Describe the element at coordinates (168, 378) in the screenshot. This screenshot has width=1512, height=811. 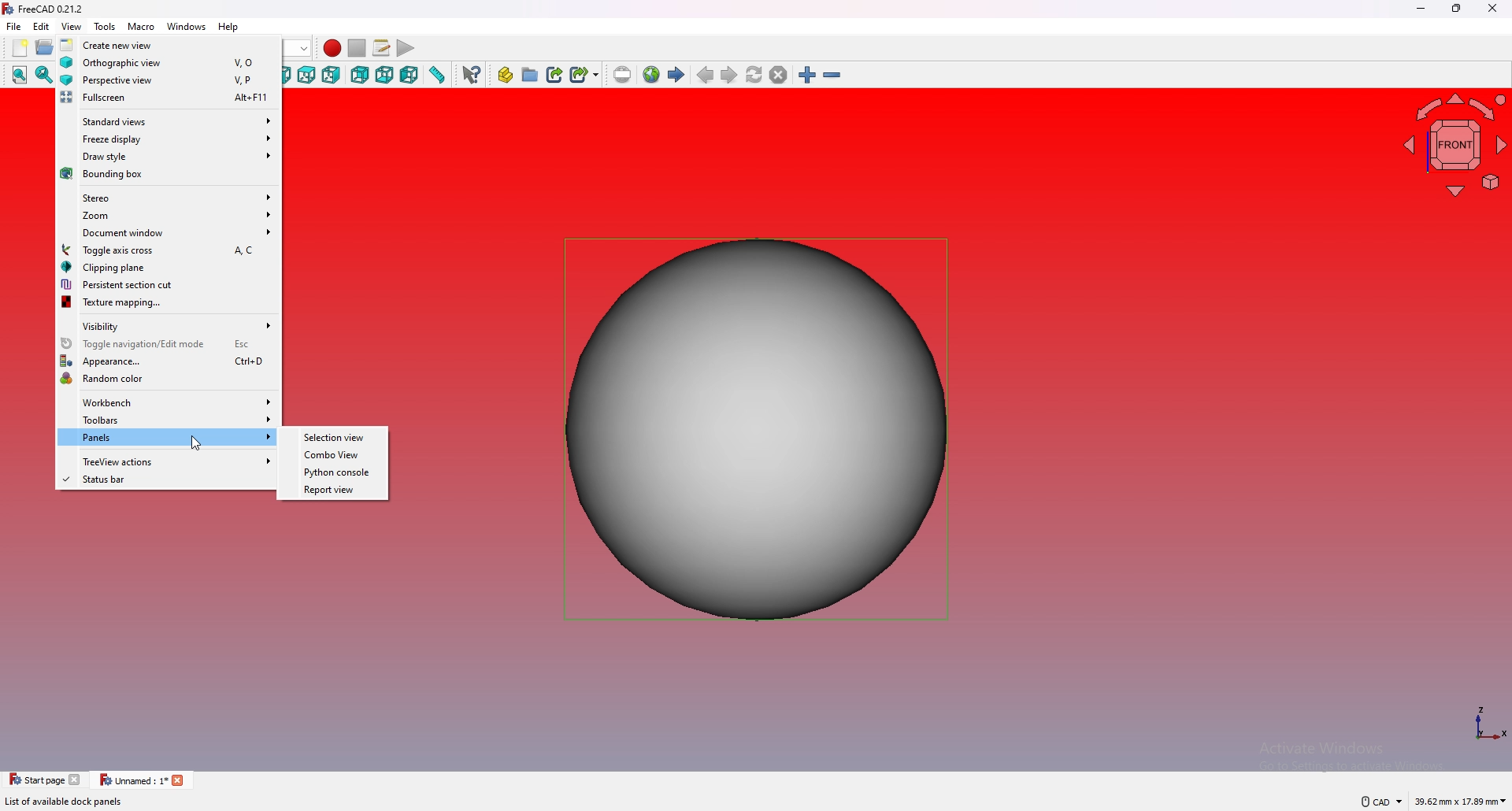
I see `random color` at that location.